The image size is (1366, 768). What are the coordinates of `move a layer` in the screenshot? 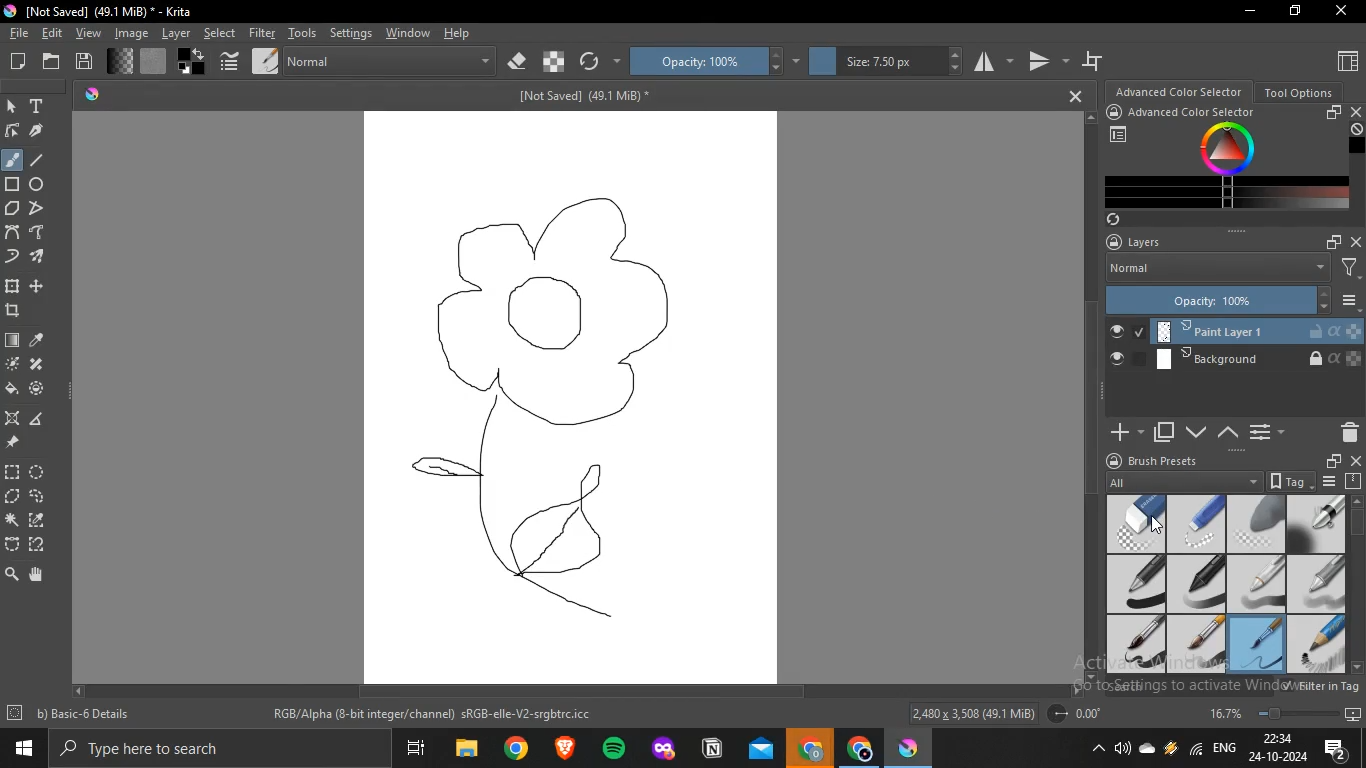 It's located at (36, 288).